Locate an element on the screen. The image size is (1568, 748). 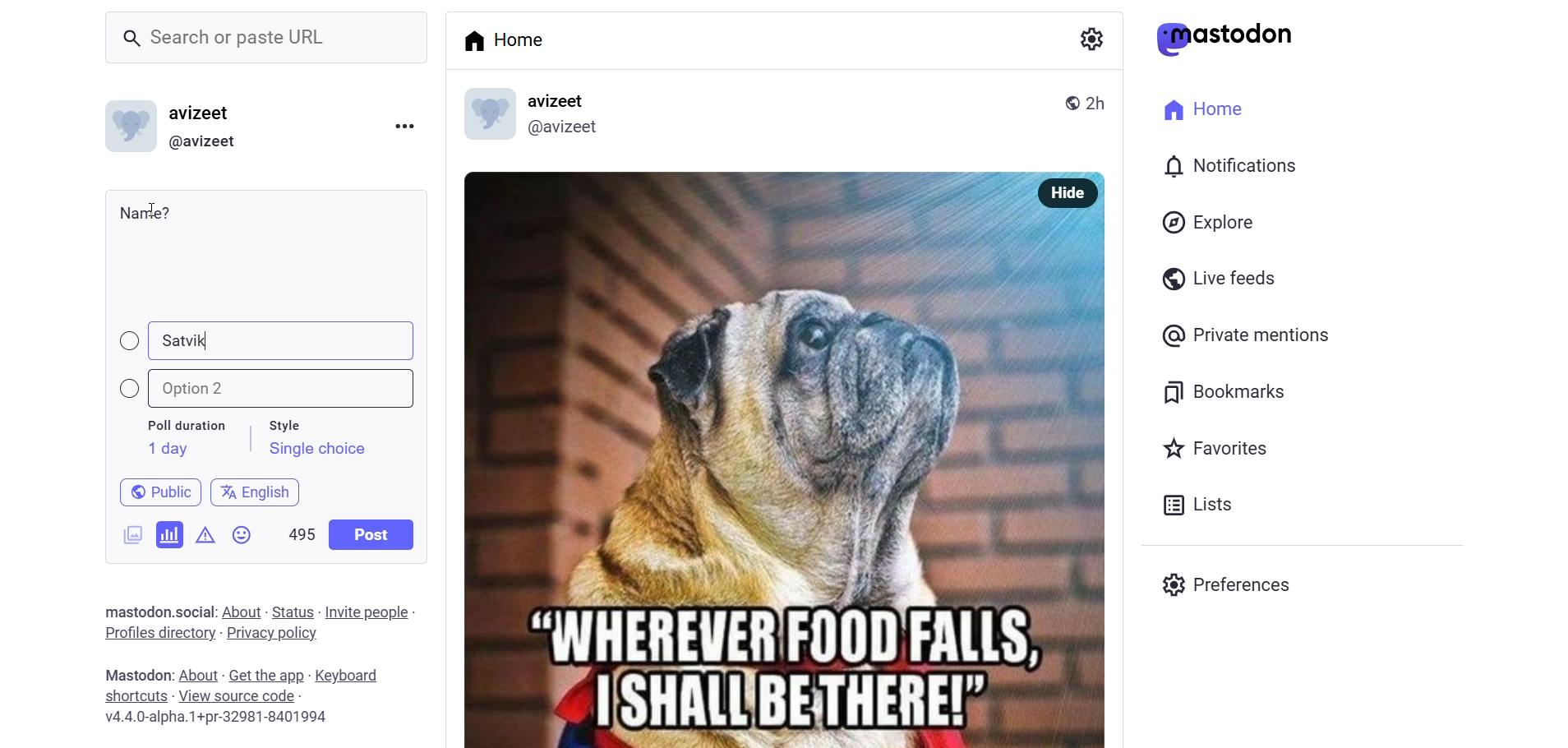
setting is located at coordinates (1089, 38).